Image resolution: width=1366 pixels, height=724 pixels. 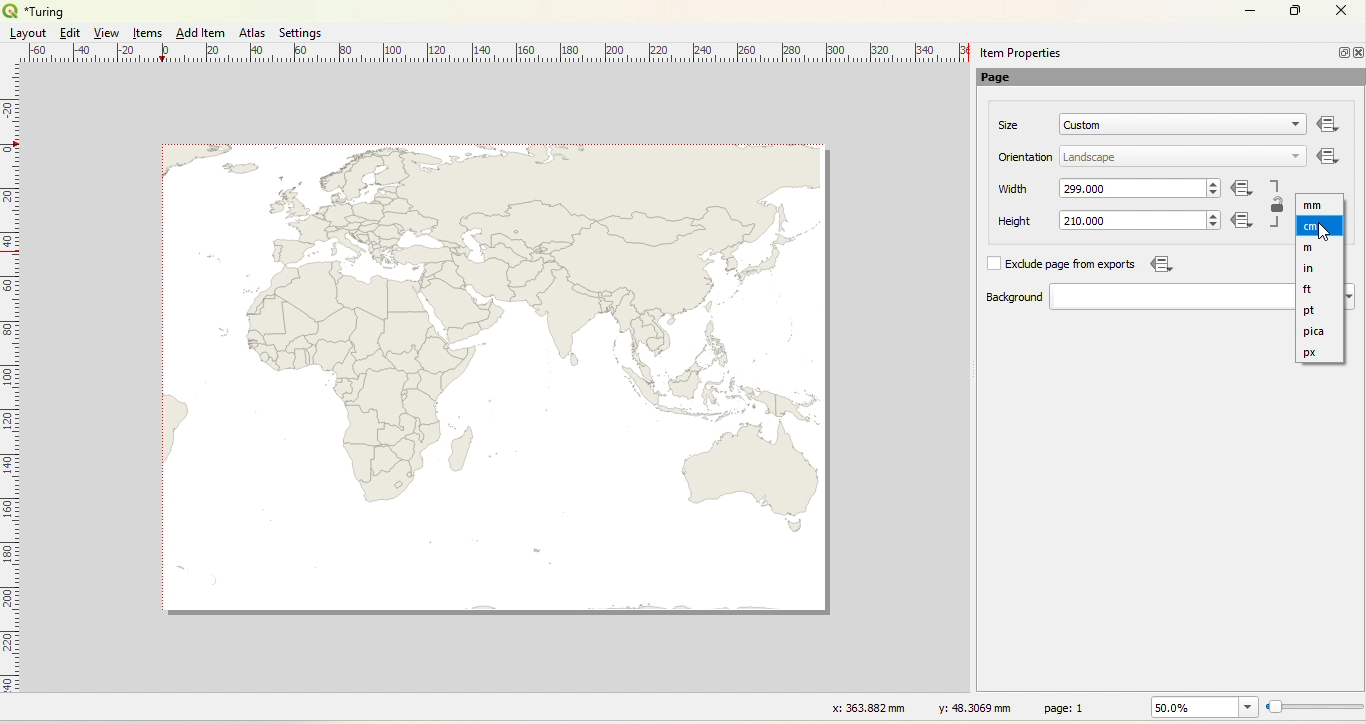 I want to click on height, so click(x=1016, y=223).